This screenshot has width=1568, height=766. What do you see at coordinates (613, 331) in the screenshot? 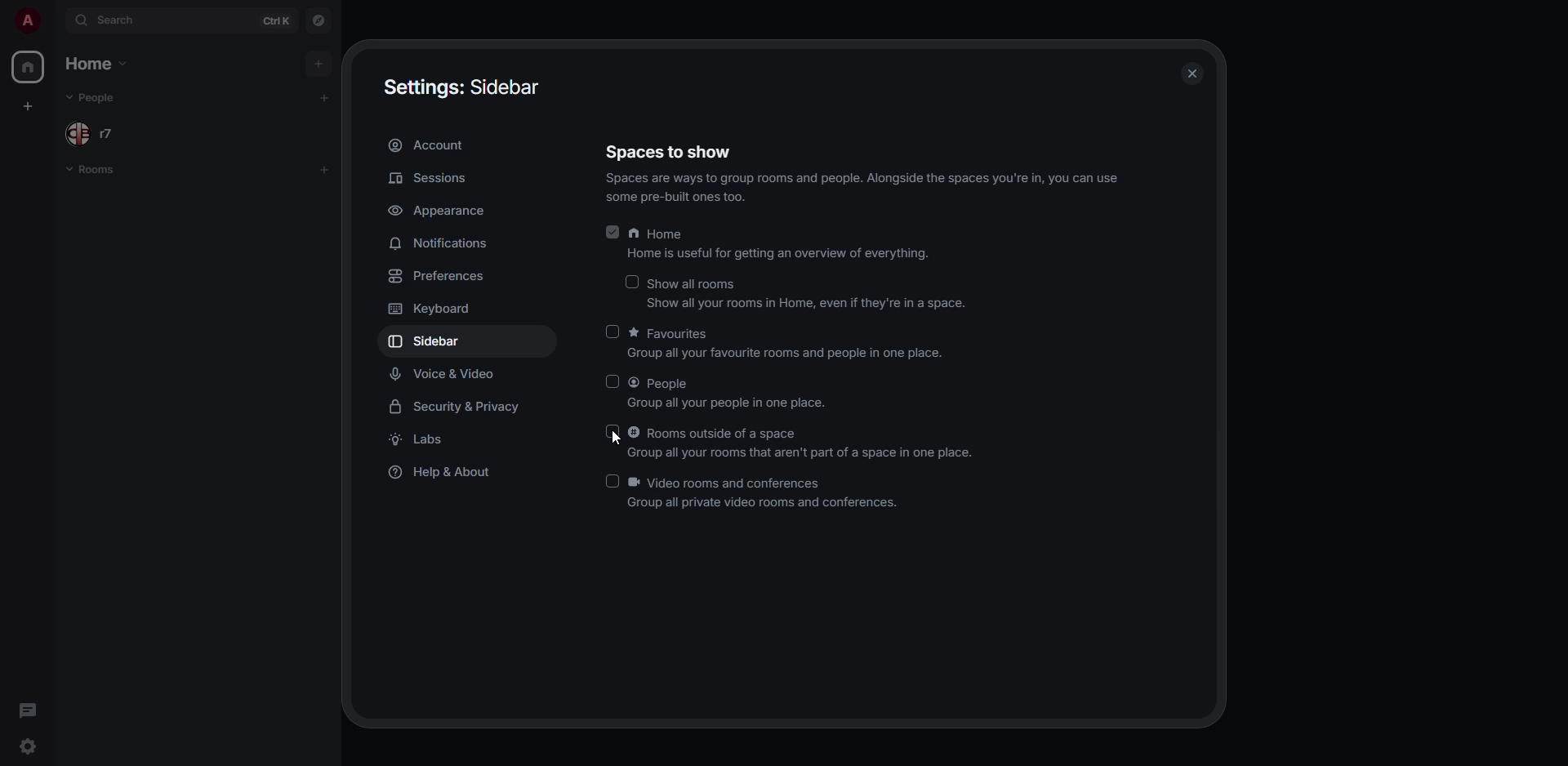
I see `click to enable` at bounding box center [613, 331].